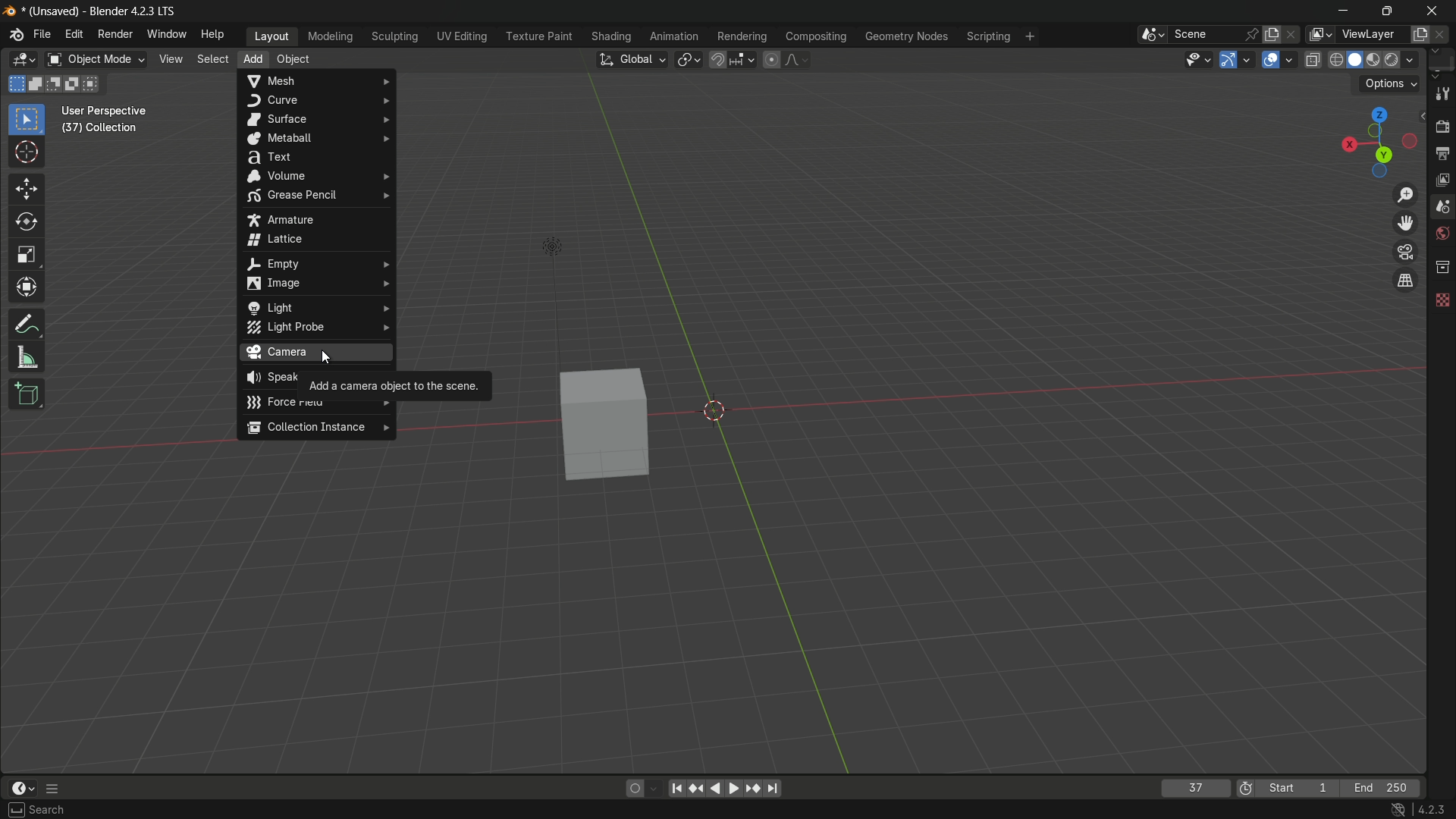 This screenshot has width=1456, height=819. Describe the element at coordinates (1297, 36) in the screenshot. I see `delete scene` at that location.